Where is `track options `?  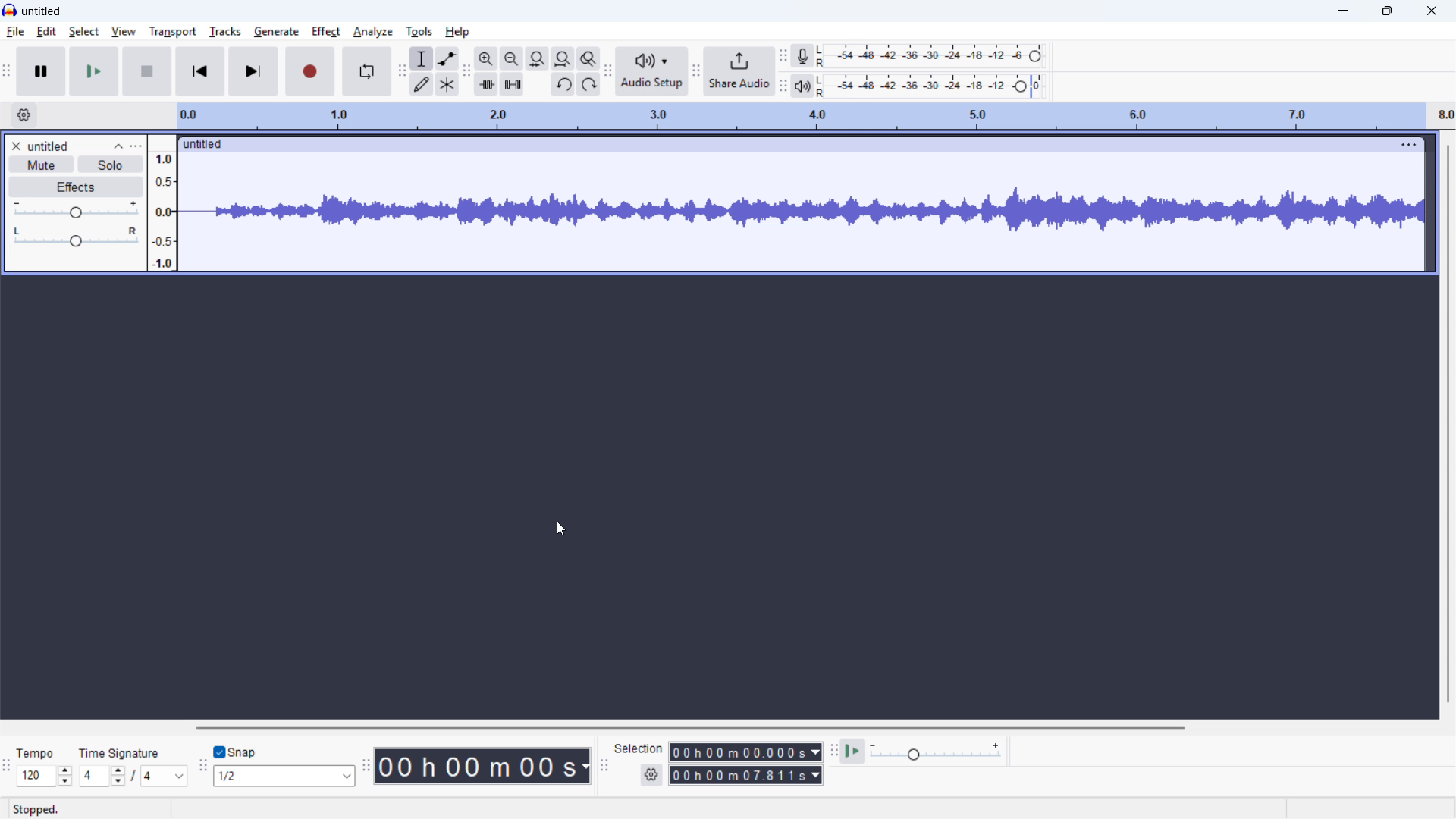
track options  is located at coordinates (1410, 143).